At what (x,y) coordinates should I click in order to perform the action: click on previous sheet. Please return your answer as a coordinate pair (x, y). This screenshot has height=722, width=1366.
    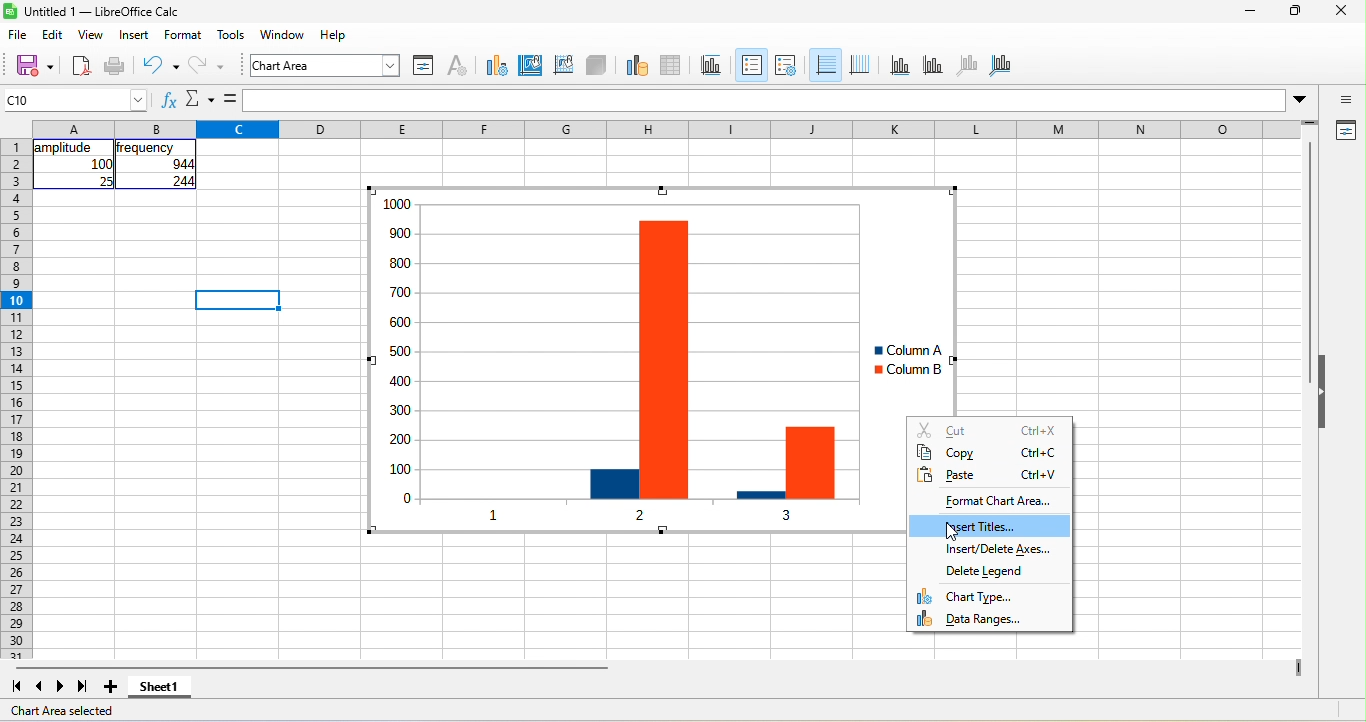
    Looking at the image, I should click on (40, 687).